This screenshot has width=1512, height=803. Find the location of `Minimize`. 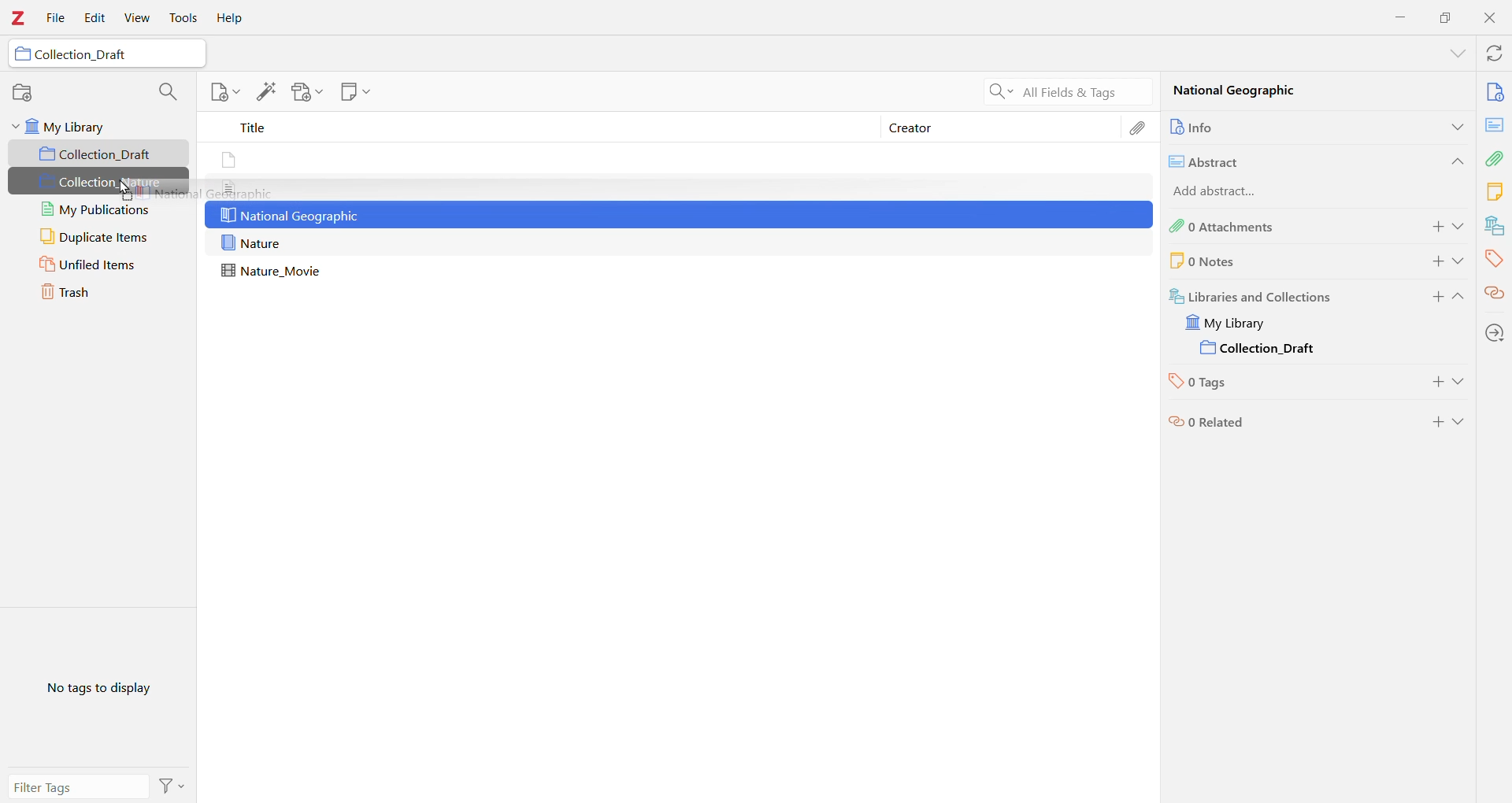

Minimize is located at coordinates (1402, 17).